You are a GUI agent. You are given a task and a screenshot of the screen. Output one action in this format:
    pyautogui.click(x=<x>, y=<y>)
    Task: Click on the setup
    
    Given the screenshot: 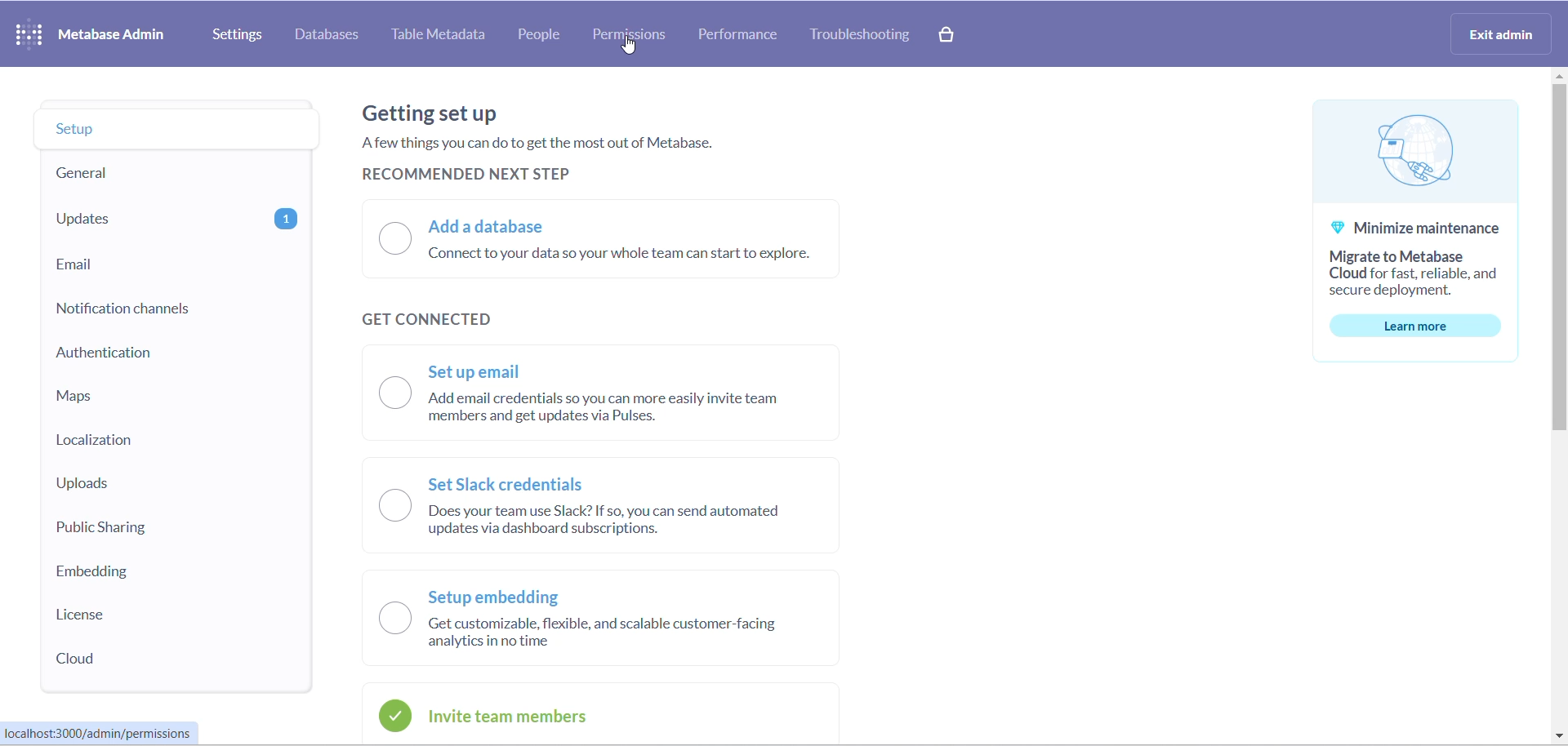 What is the action you would take?
    pyautogui.click(x=158, y=131)
    